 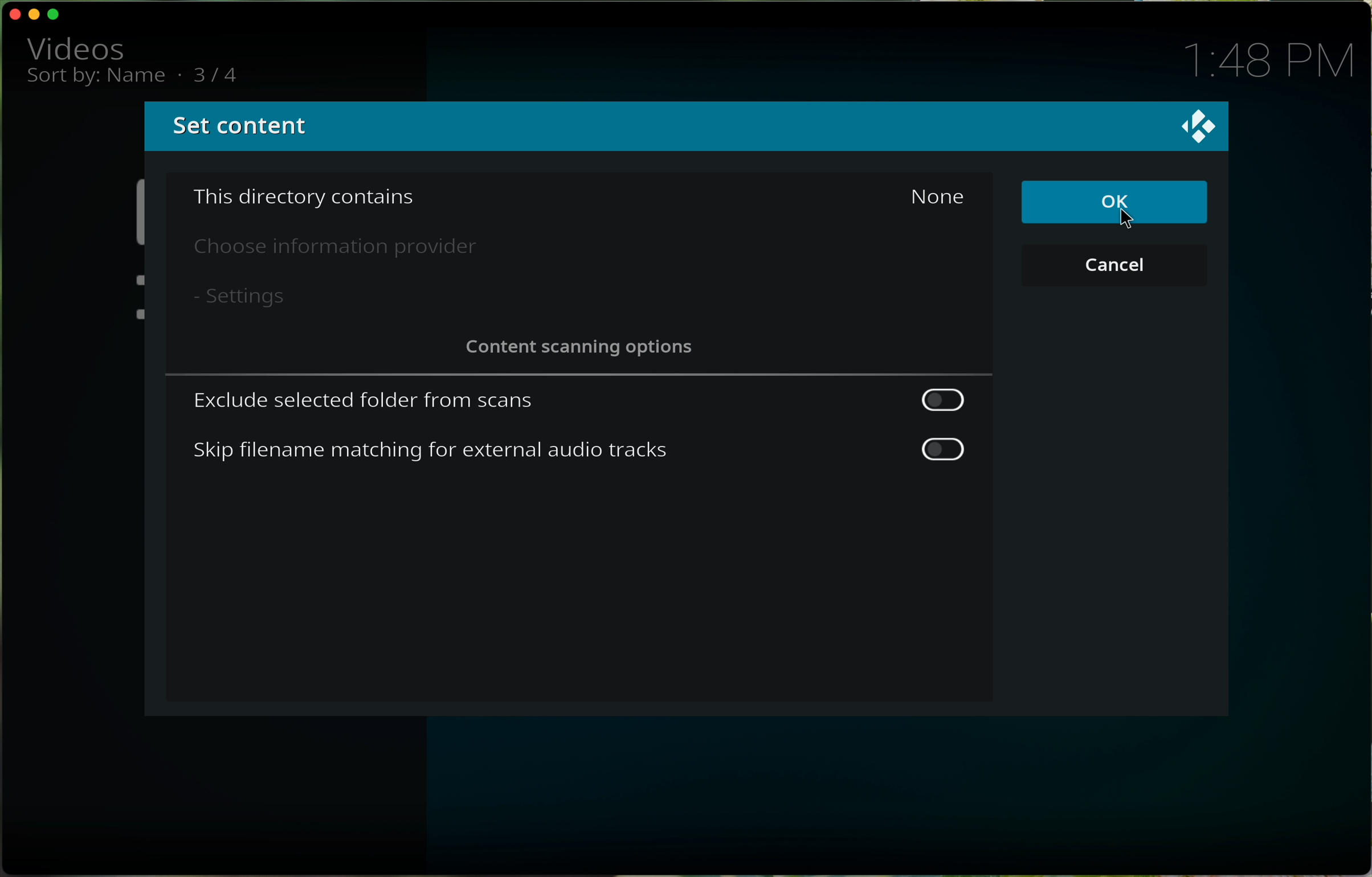 What do you see at coordinates (240, 125) in the screenshot?
I see `set content` at bounding box center [240, 125].